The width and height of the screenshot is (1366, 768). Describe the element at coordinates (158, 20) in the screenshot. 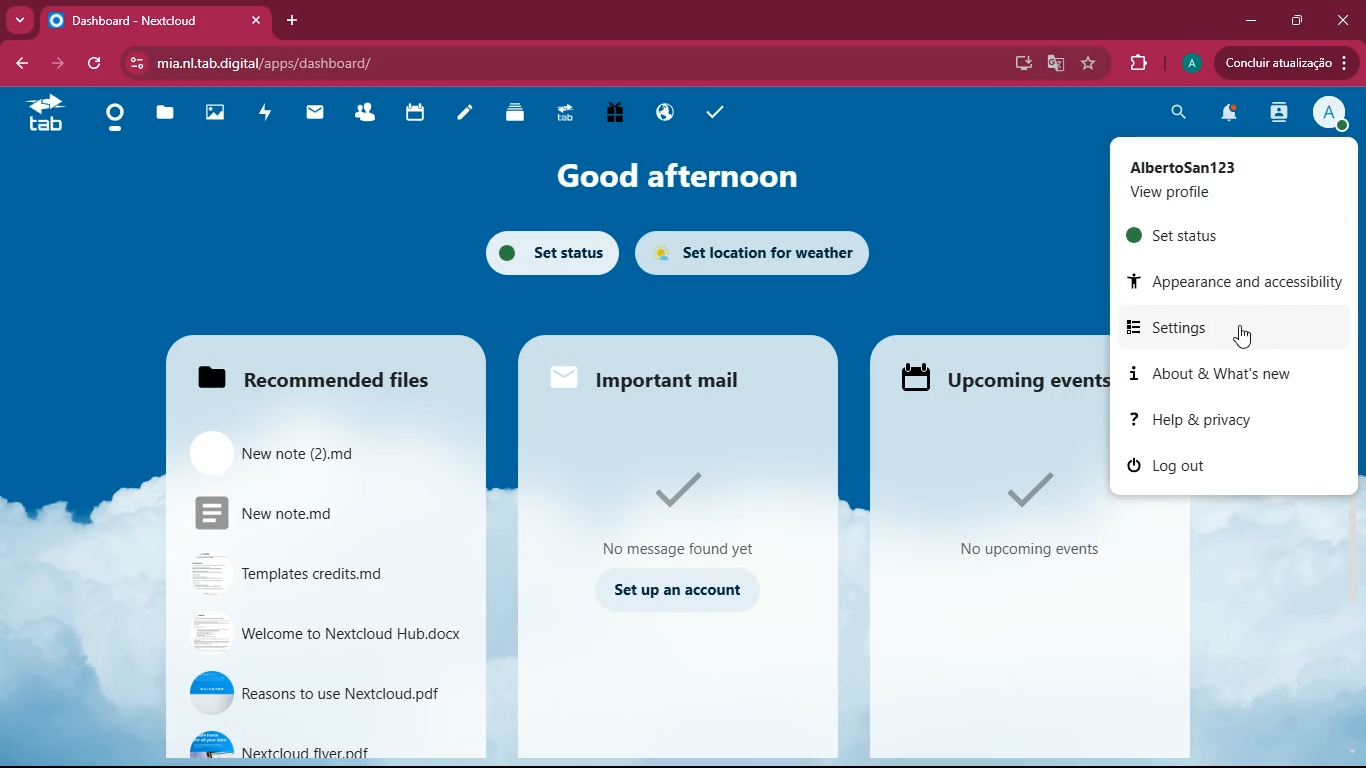

I see `tab` at that location.